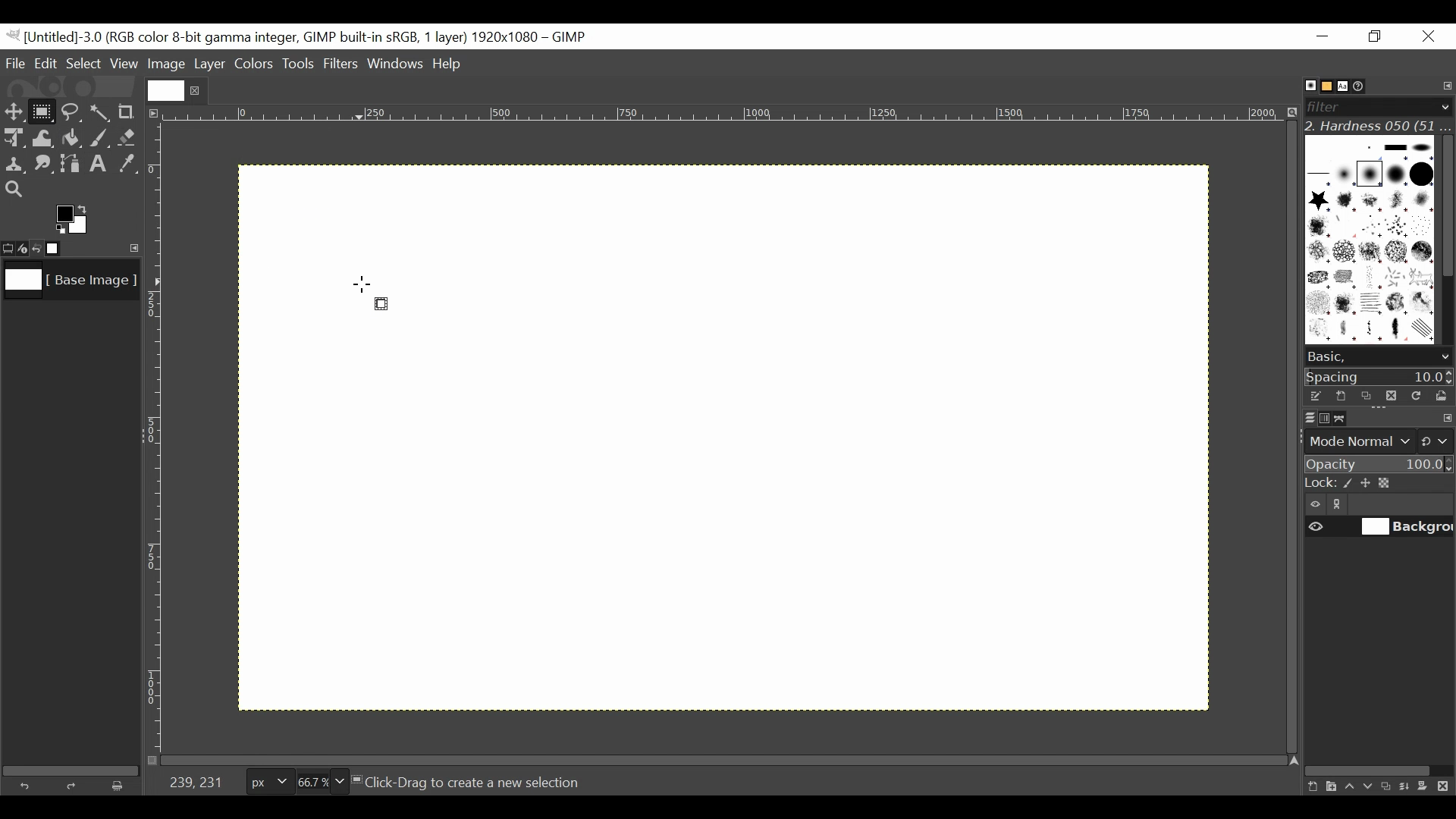  I want to click on Refresh, so click(1414, 394).